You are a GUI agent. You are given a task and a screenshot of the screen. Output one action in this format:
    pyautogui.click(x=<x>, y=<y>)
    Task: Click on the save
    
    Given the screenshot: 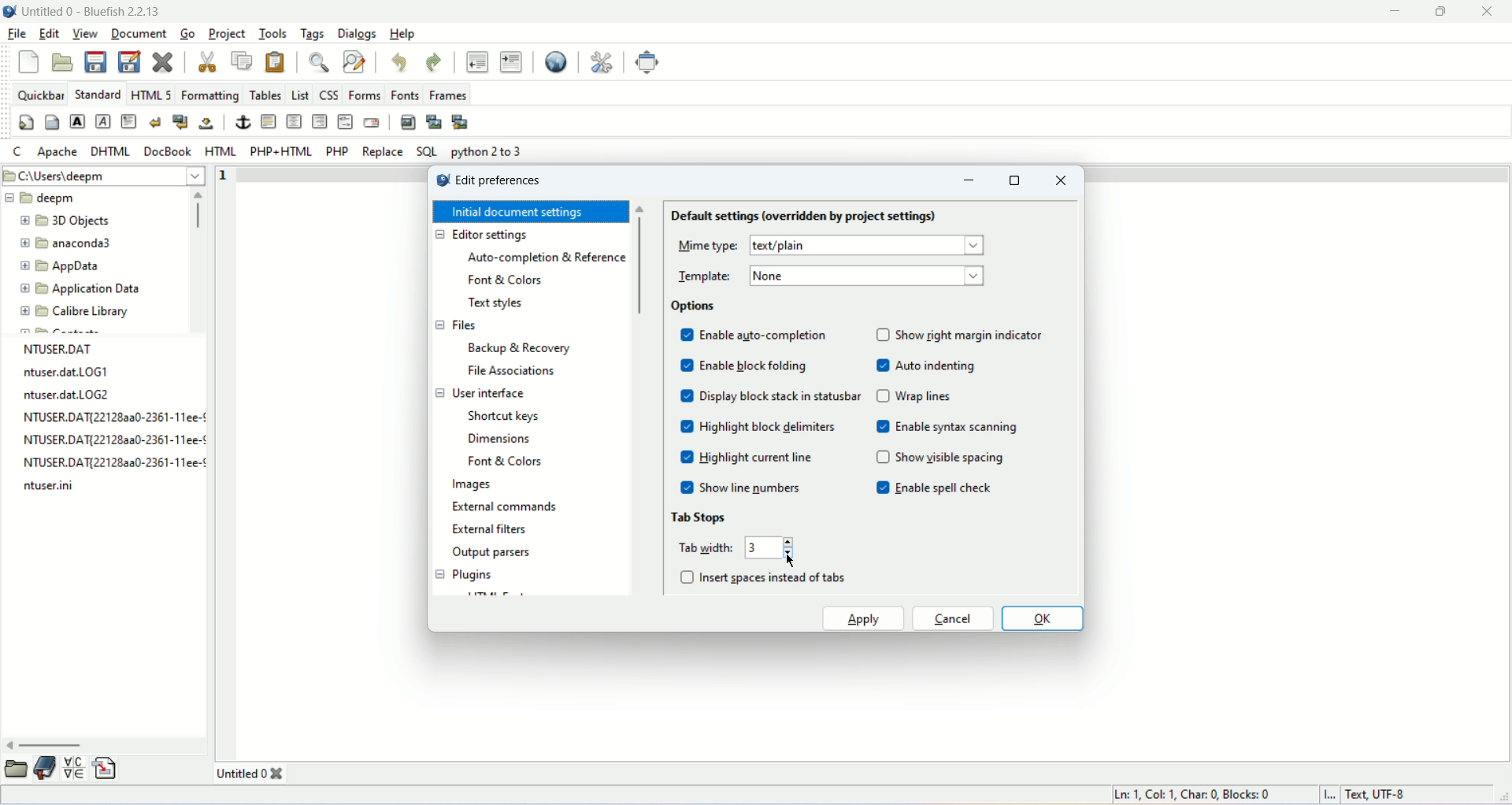 What is the action you would take?
    pyautogui.click(x=95, y=61)
    